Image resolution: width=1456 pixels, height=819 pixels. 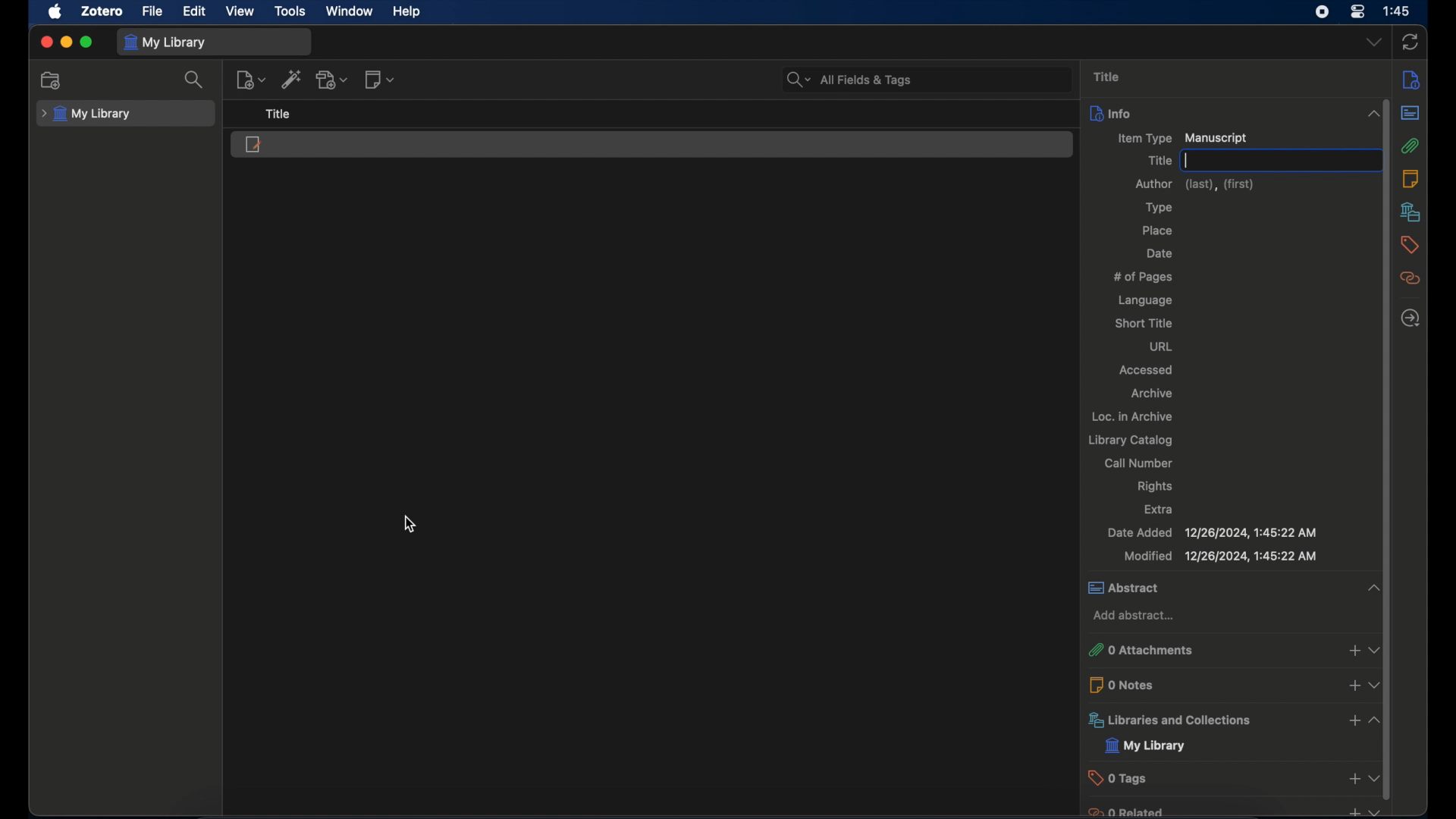 What do you see at coordinates (381, 79) in the screenshot?
I see `new note` at bounding box center [381, 79].